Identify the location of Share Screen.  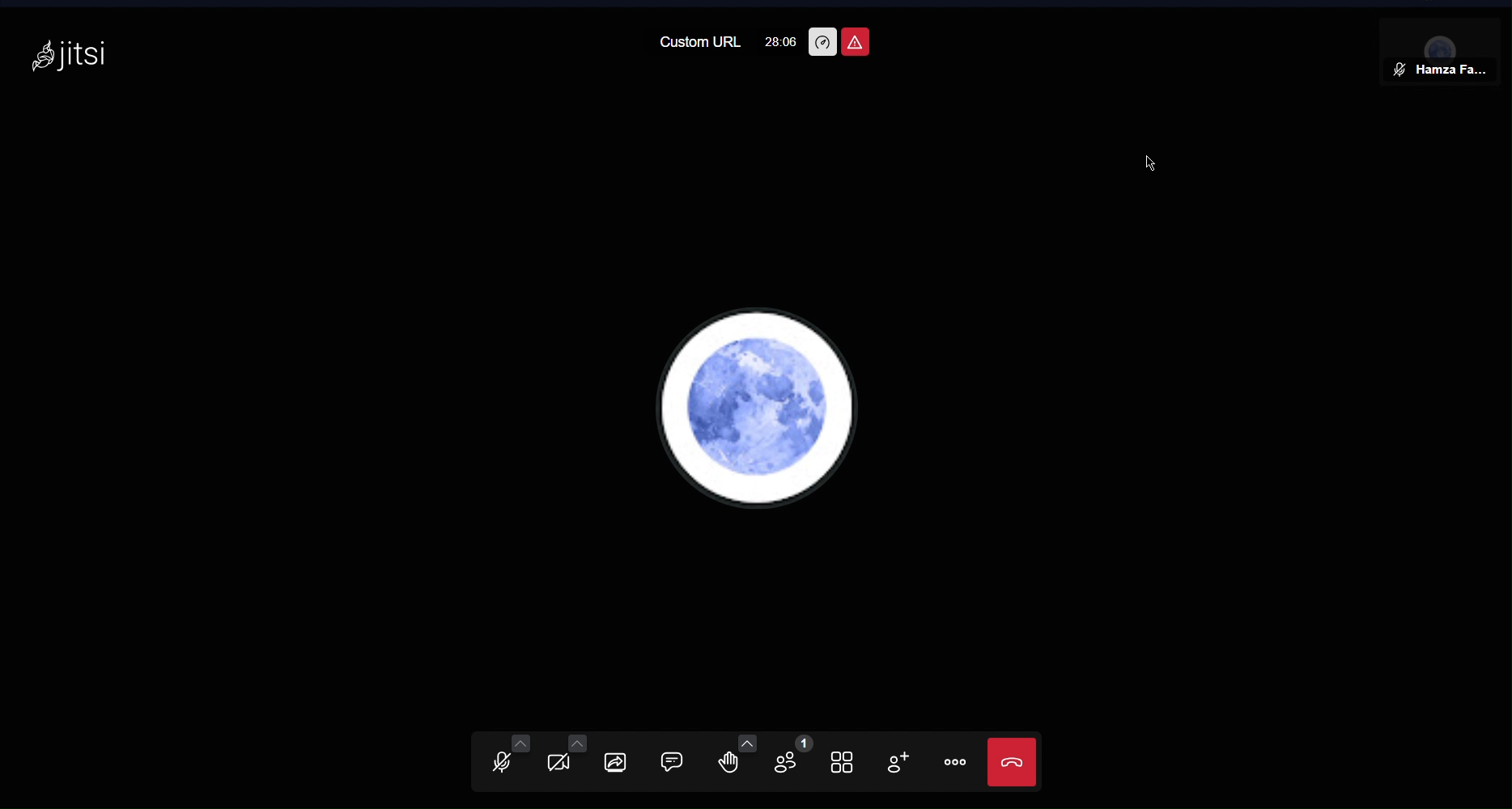
(625, 759).